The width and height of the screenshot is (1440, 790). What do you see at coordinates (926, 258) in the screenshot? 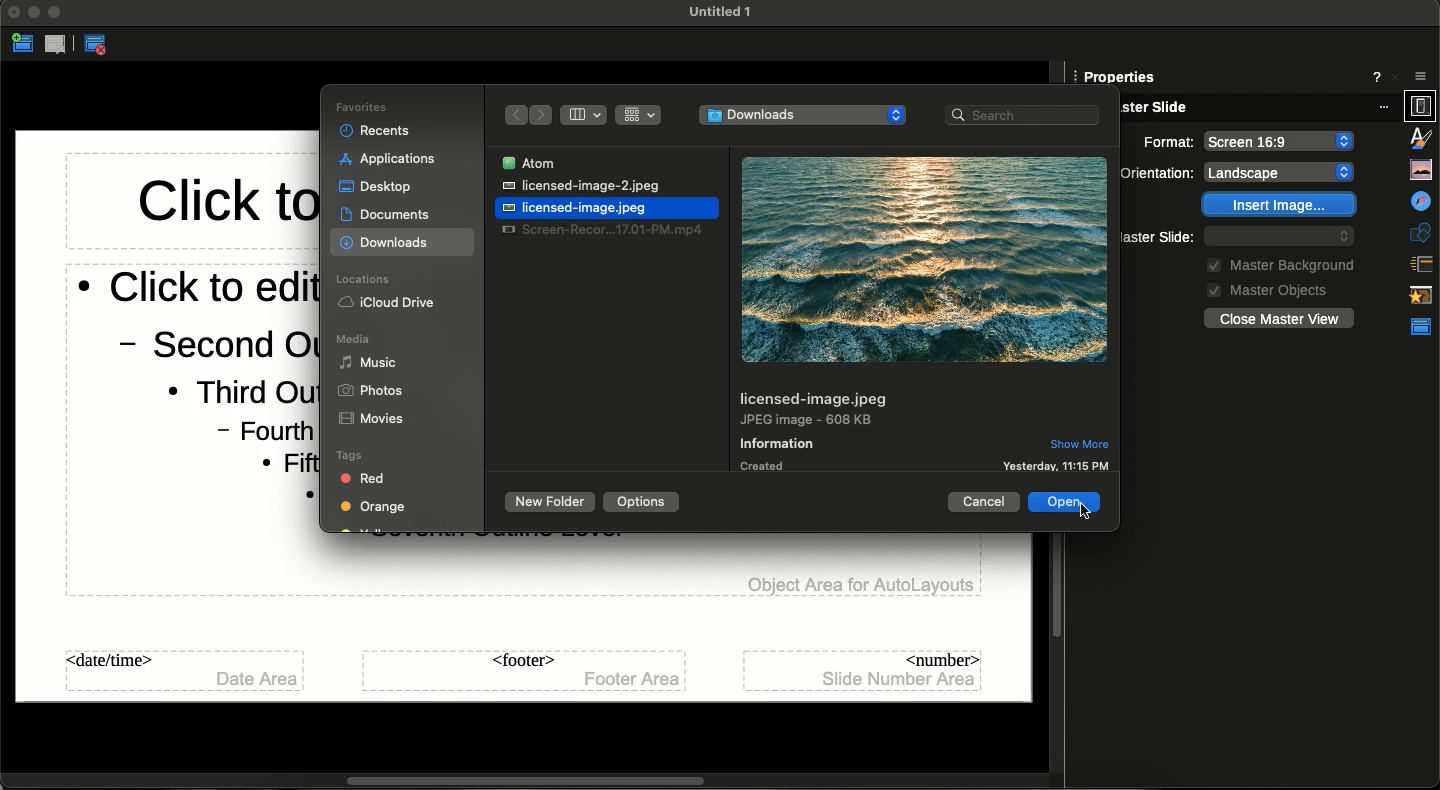
I see `Image` at bounding box center [926, 258].